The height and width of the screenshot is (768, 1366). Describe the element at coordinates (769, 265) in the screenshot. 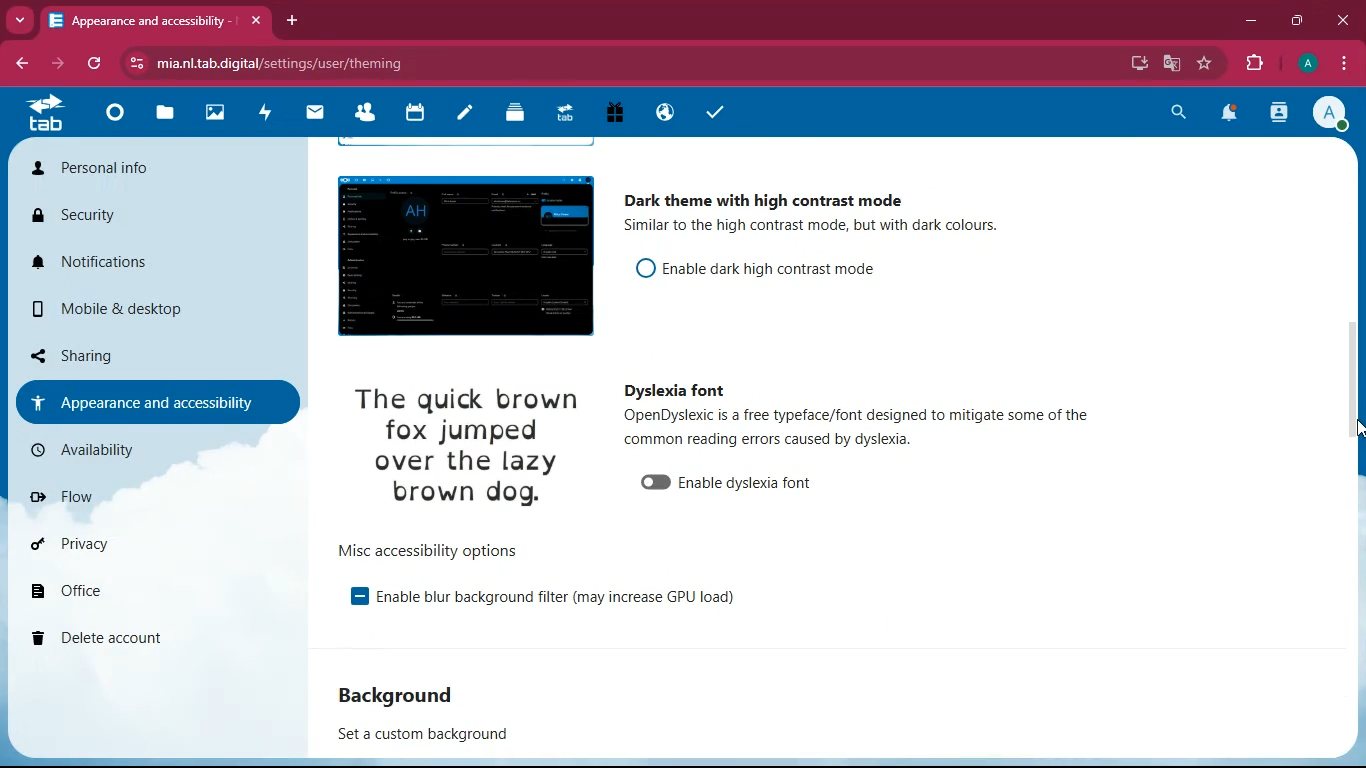

I see `enable` at that location.